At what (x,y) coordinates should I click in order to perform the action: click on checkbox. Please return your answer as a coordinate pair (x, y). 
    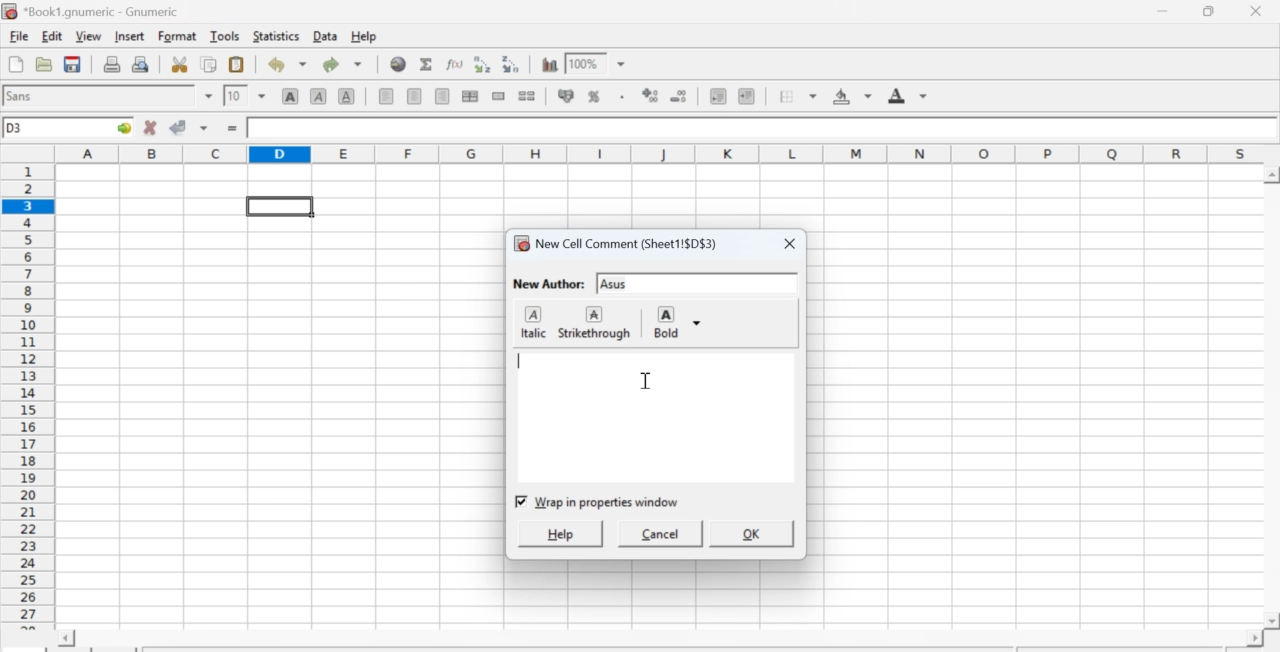
    Looking at the image, I should click on (600, 502).